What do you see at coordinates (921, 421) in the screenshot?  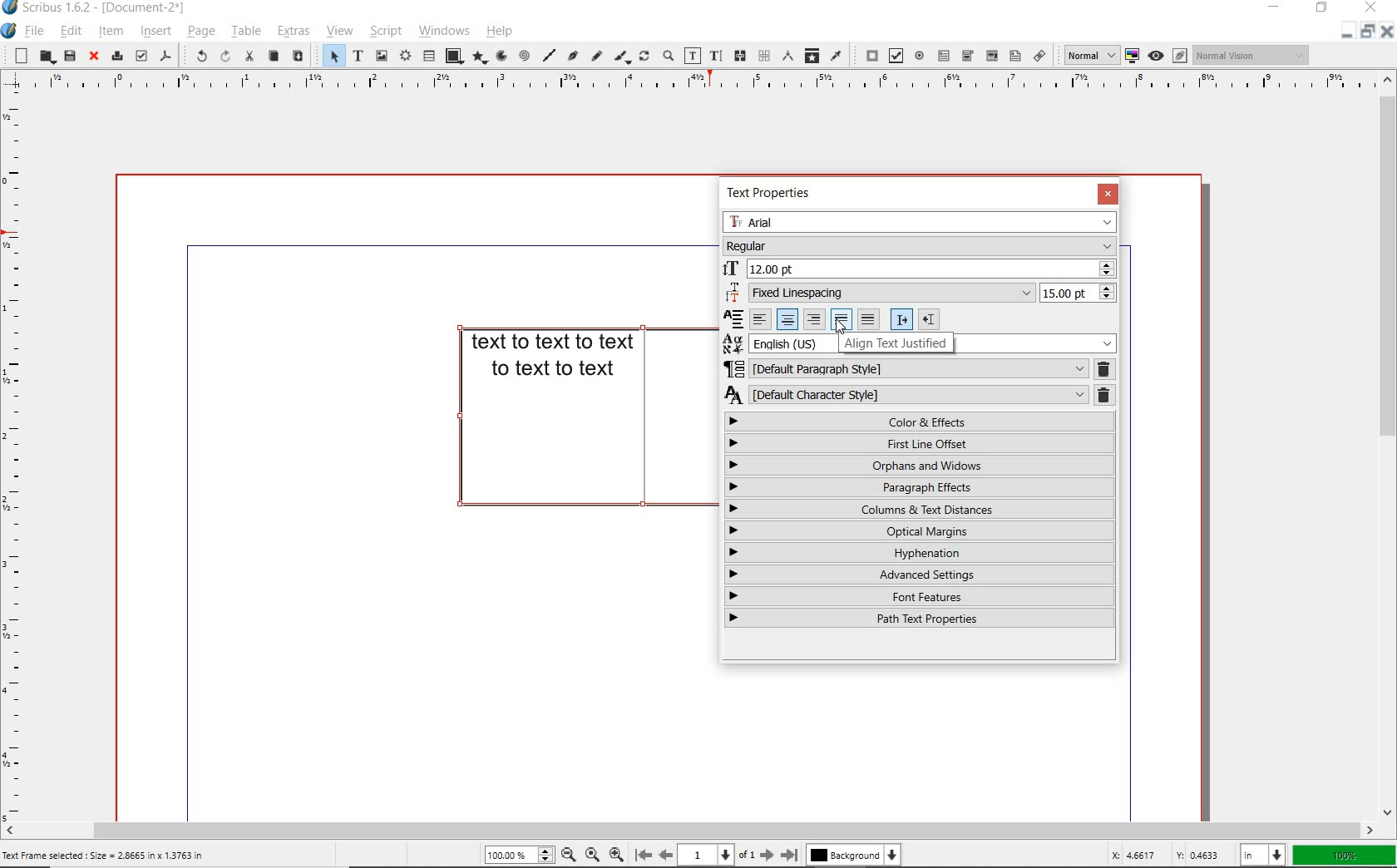 I see `COLOR & EFFECTS` at bounding box center [921, 421].